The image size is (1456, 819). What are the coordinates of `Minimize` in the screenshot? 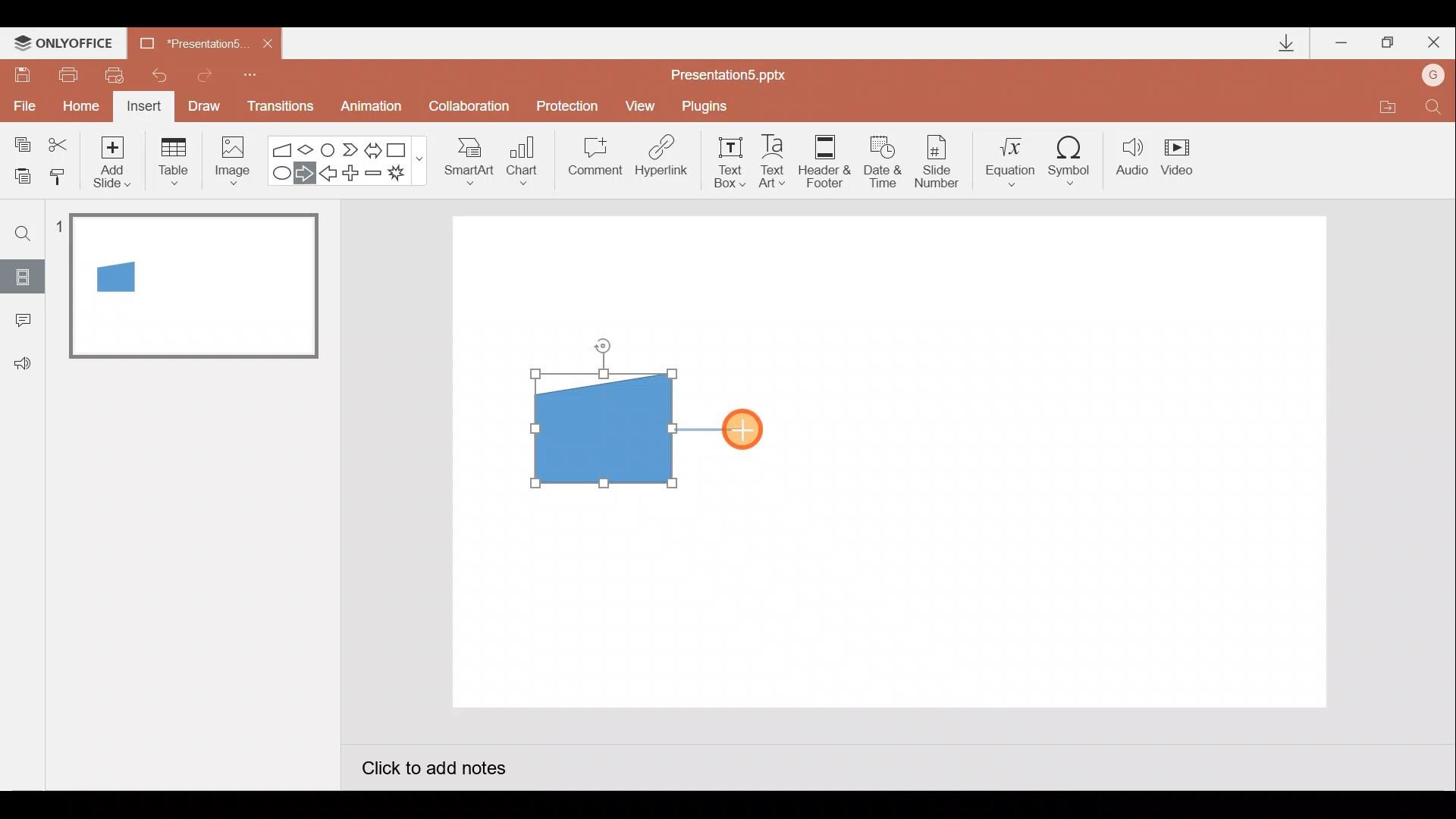 It's located at (1343, 44).